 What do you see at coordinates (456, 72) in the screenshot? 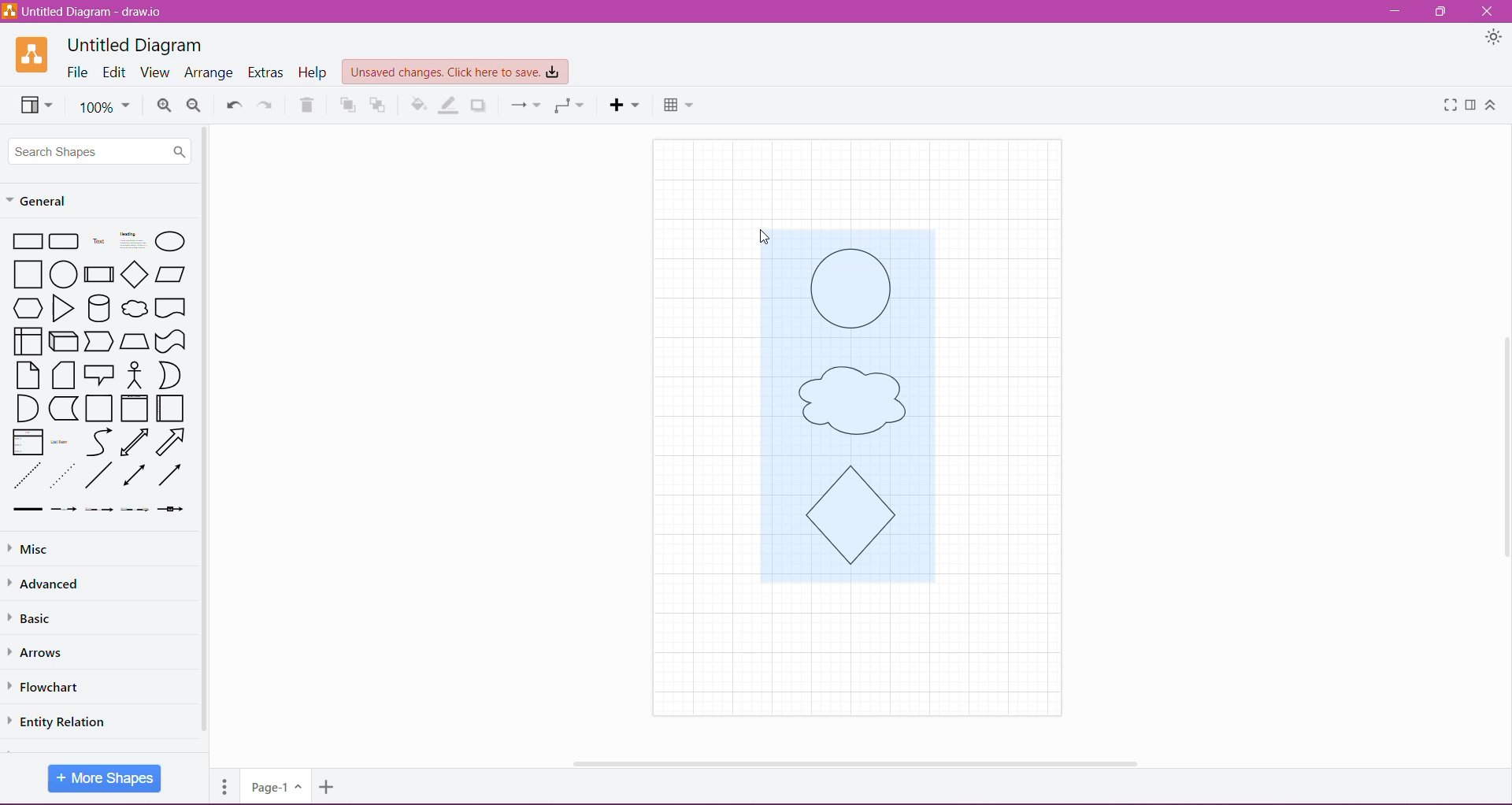
I see `Unsaved Changes. Click here to save.` at bounding box center [456, 72].